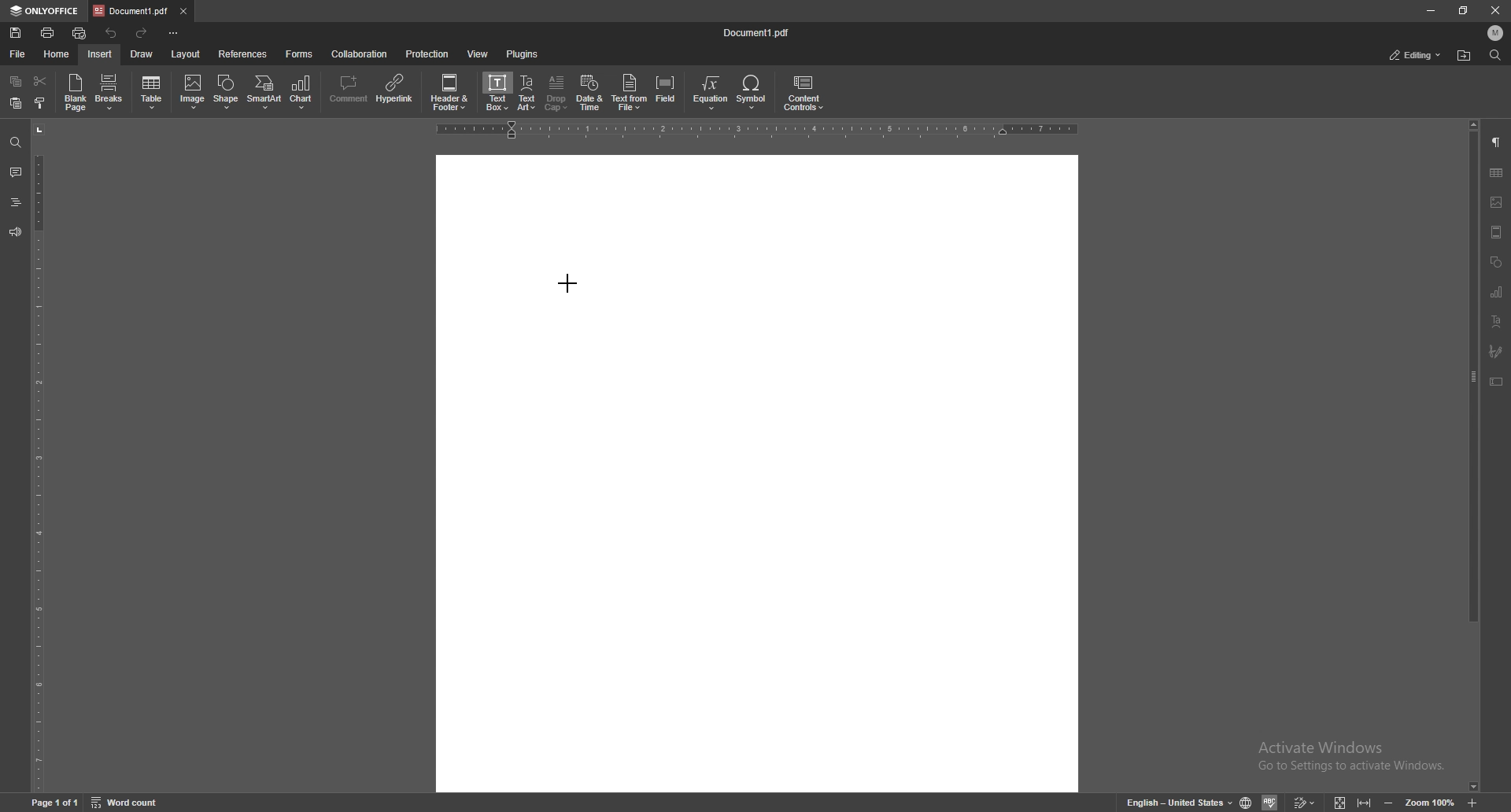 The image size is (1511, 812). What do you see at coordinates (1497, 382) in the screenshot?
I see `text box` at bounding box center [1497, 382].